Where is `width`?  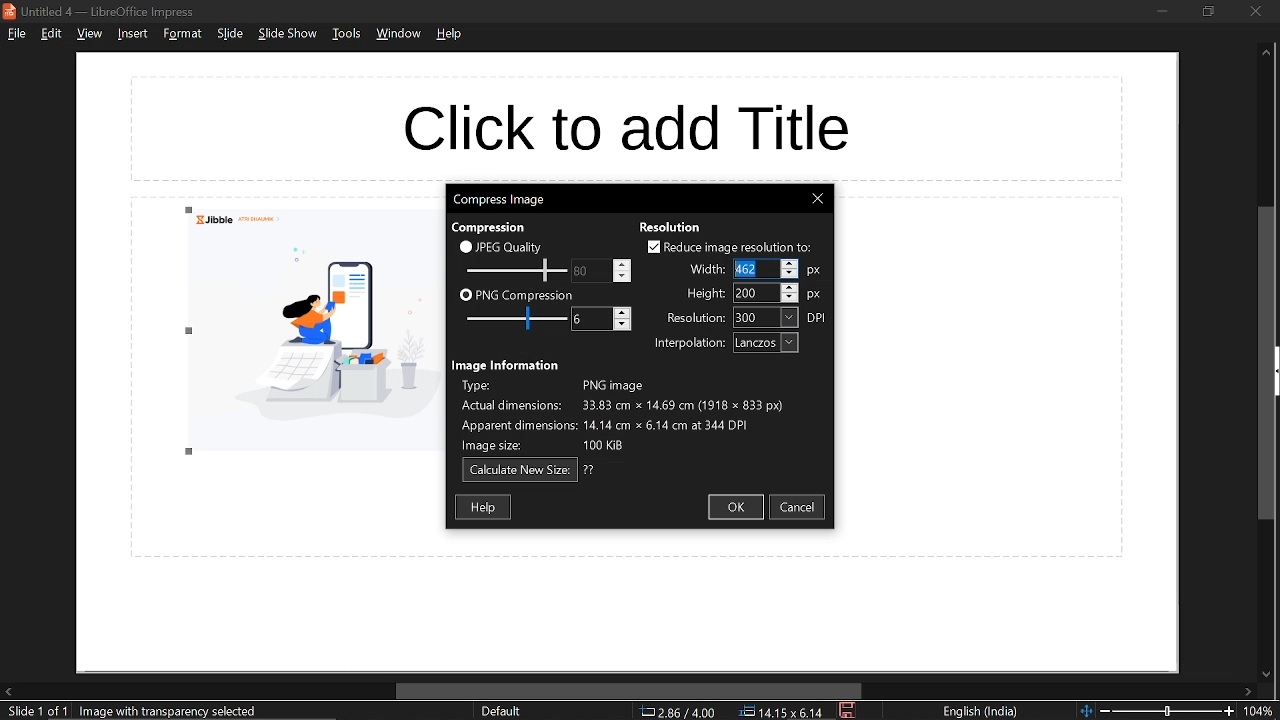
width is located at coordinates (704, 268).